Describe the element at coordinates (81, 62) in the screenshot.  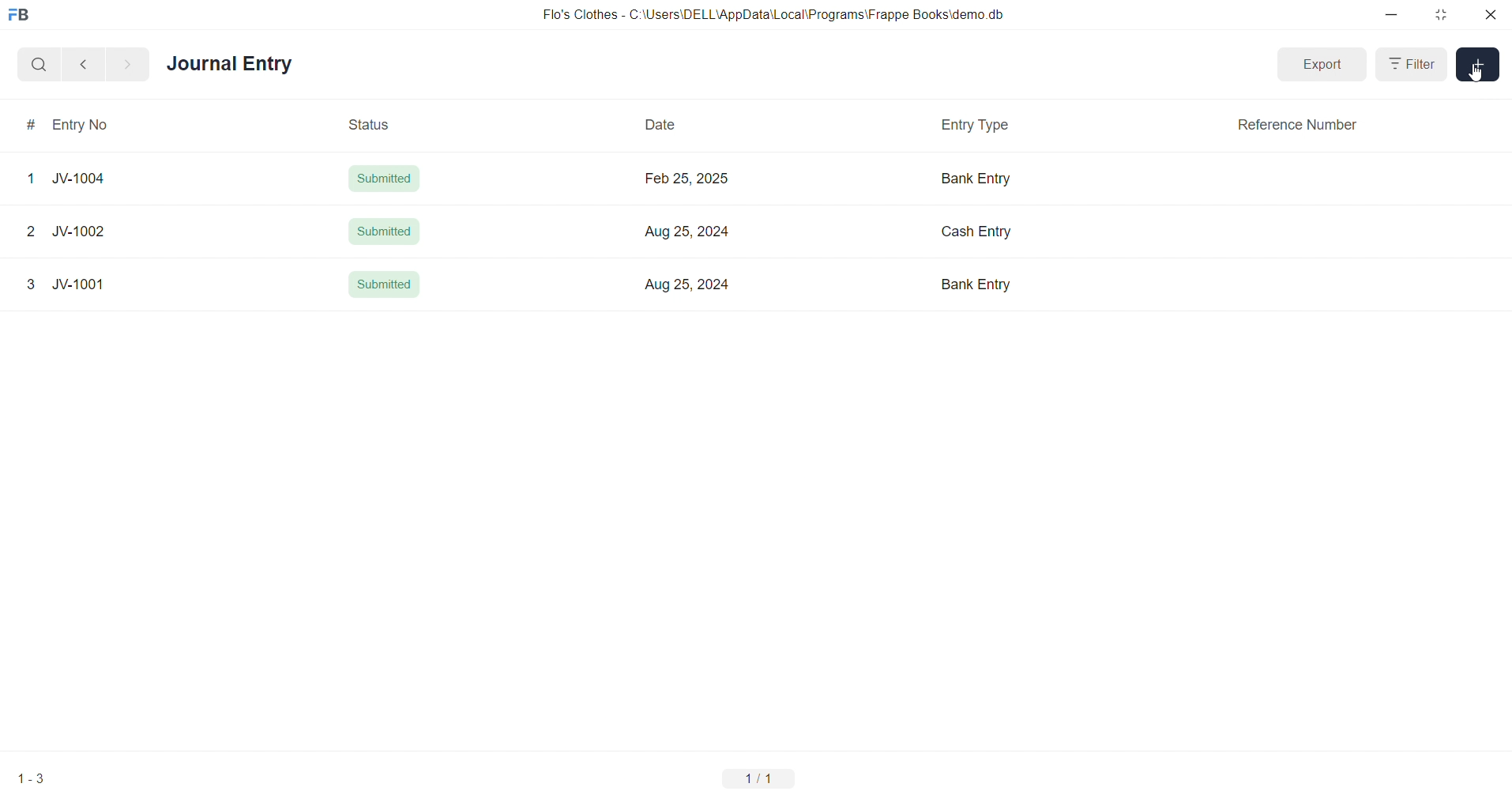
I see `navigate backward ` at that location.